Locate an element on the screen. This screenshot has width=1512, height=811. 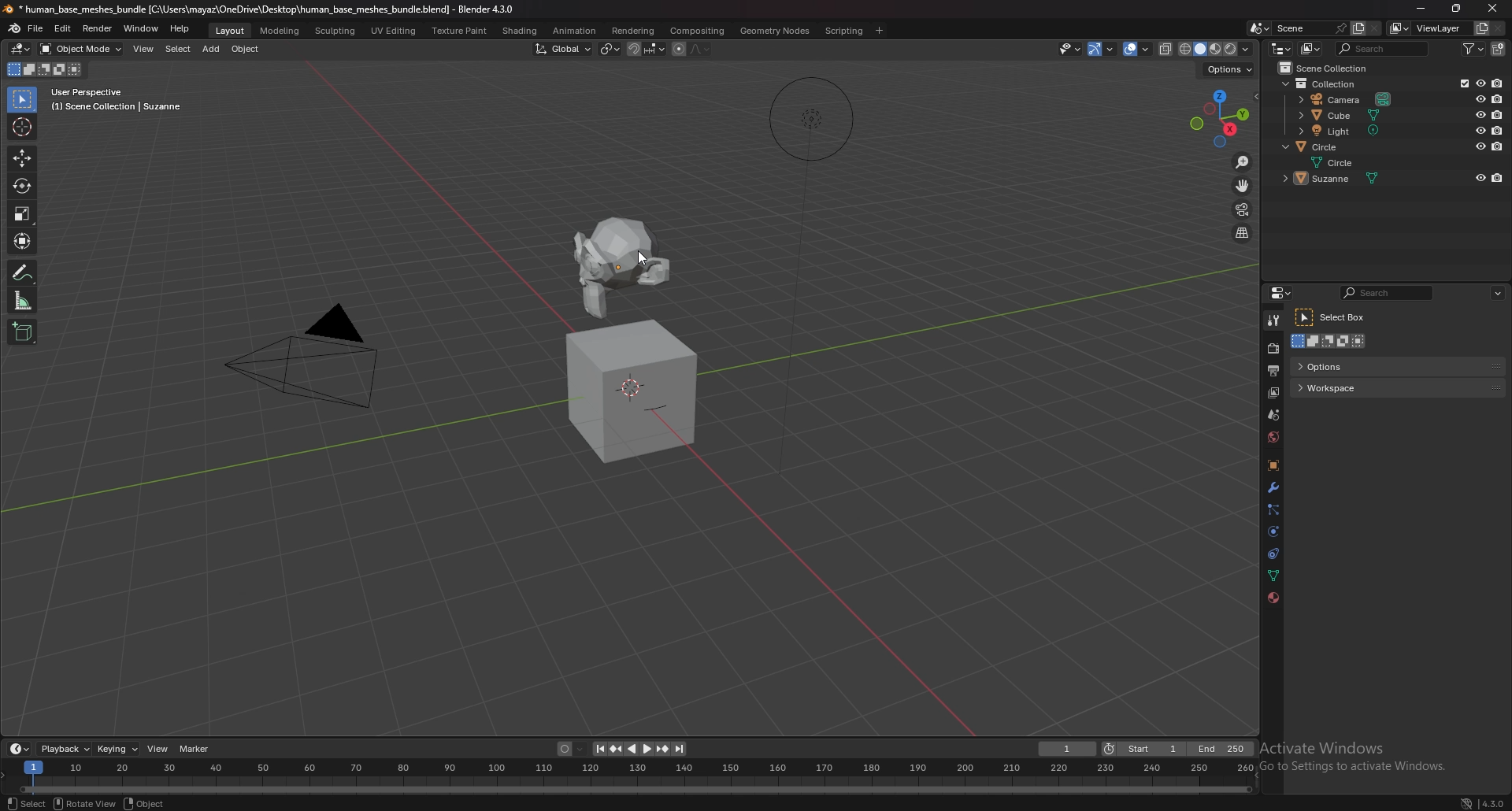
layout is located at coordinates (231, 30).